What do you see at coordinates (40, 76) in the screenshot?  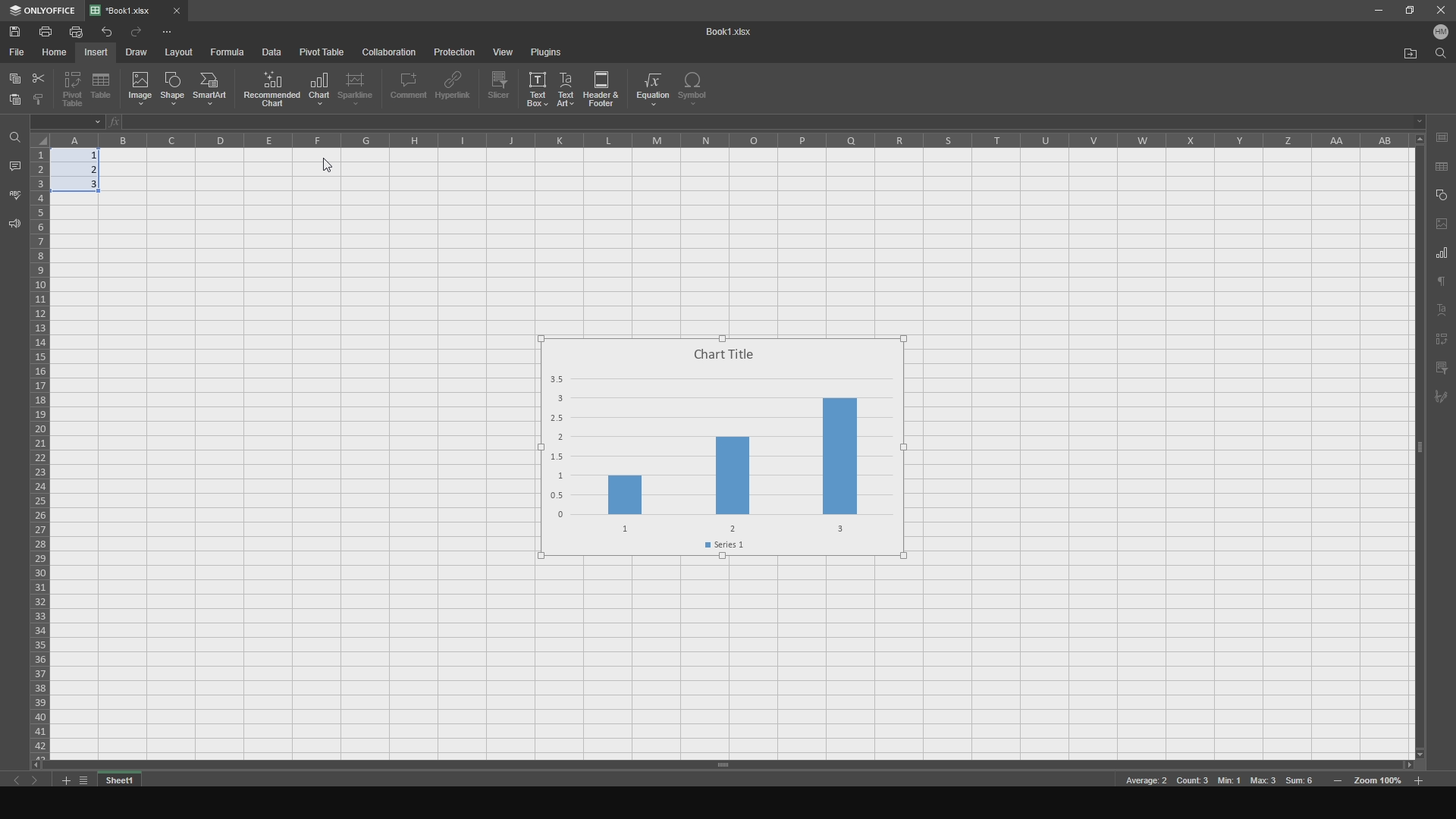 I see `cut` at bounding box center [40, 76].